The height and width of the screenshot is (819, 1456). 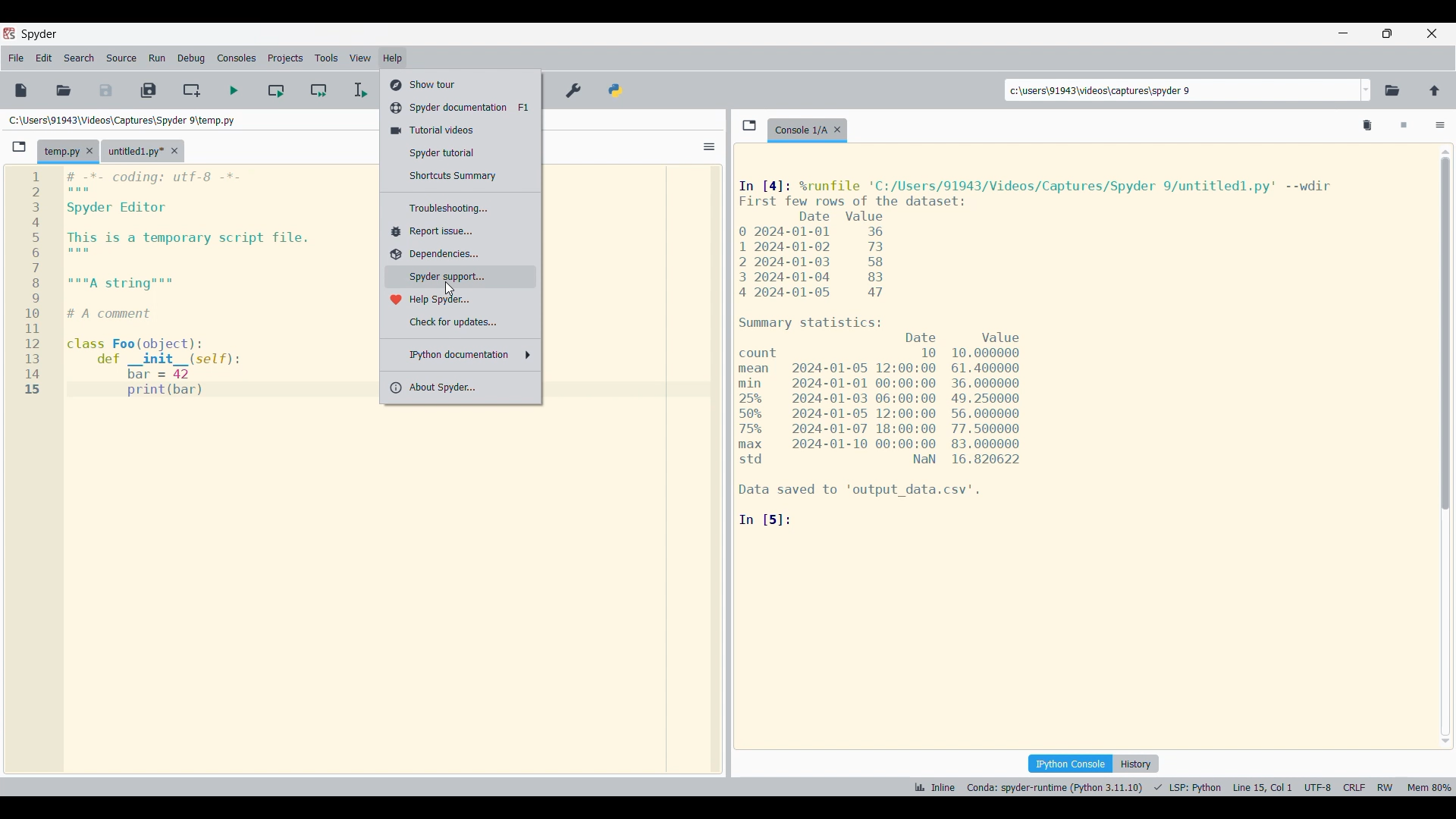 What do you see at coordinates (460, 130) in the screenshot?
I see `Tutorial videos` at bounding box center [460, 130].